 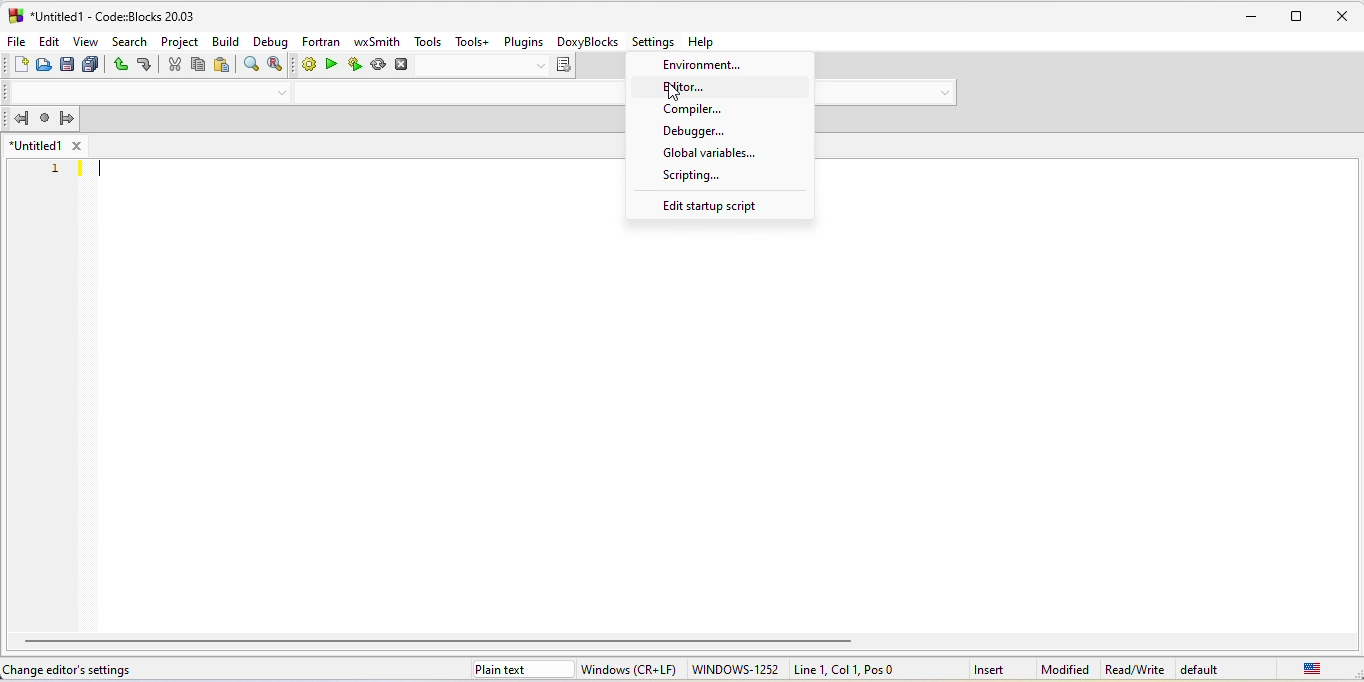 What do you see at coordinates (119, 65) in the screenshot?
I see `undo` at bounding box center [119, 65].